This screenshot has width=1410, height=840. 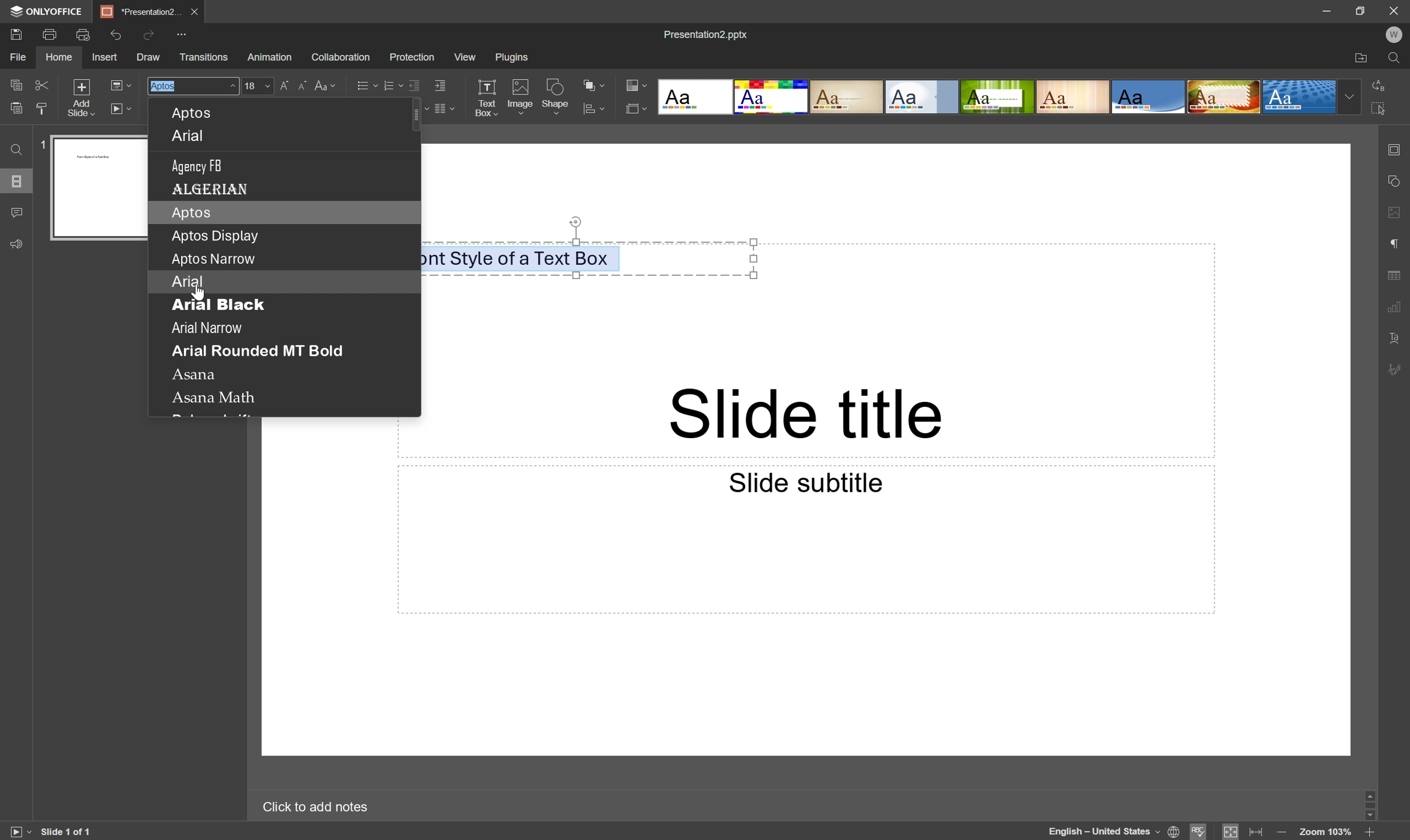 I want to click on Open file location, so click(x=1364, y=57).